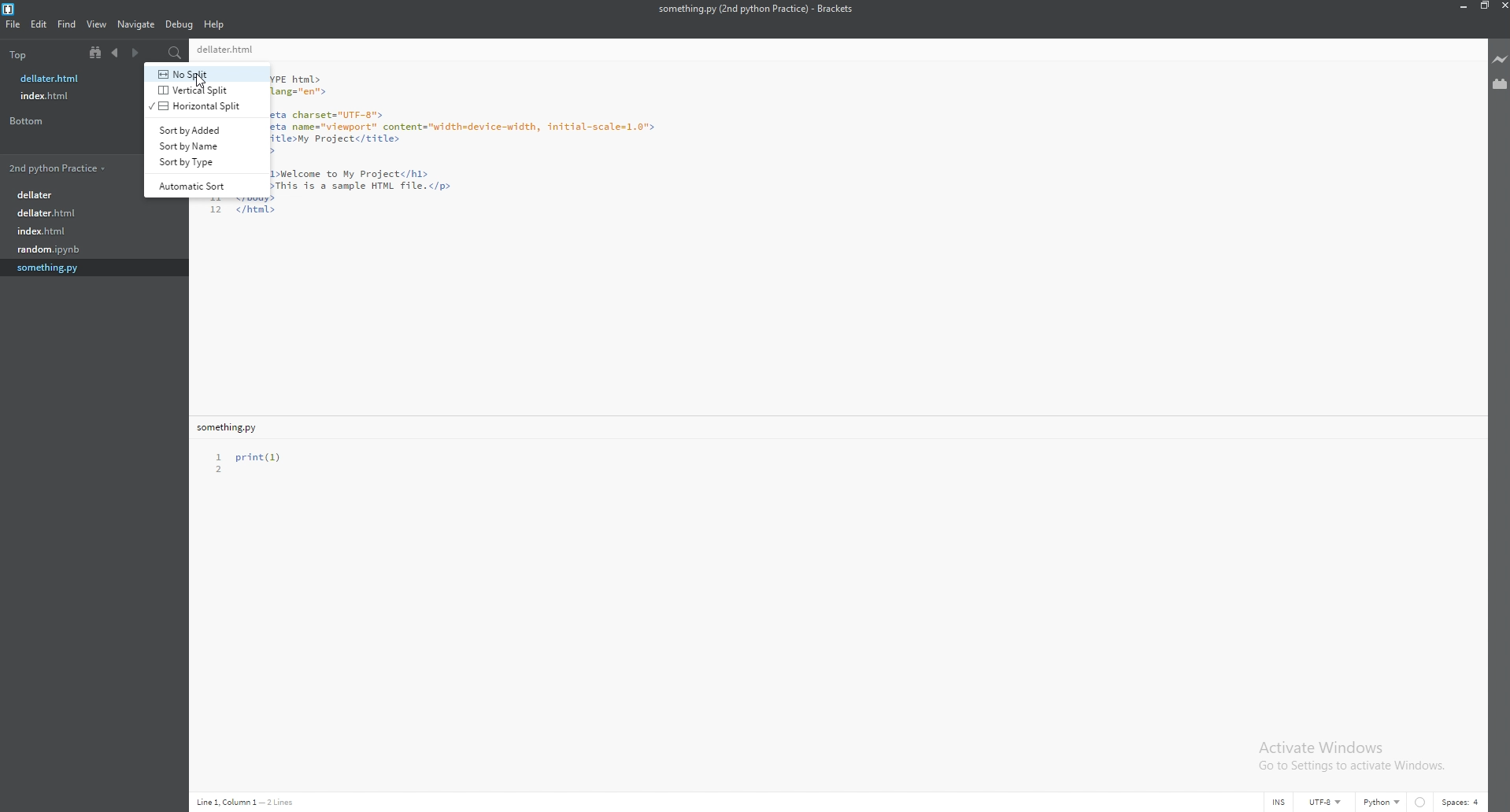 The width and height of the screenshot is (1510, 812). Describe the element at coordinates (95, 53) in the screenshot. I see `tree view` at that location.